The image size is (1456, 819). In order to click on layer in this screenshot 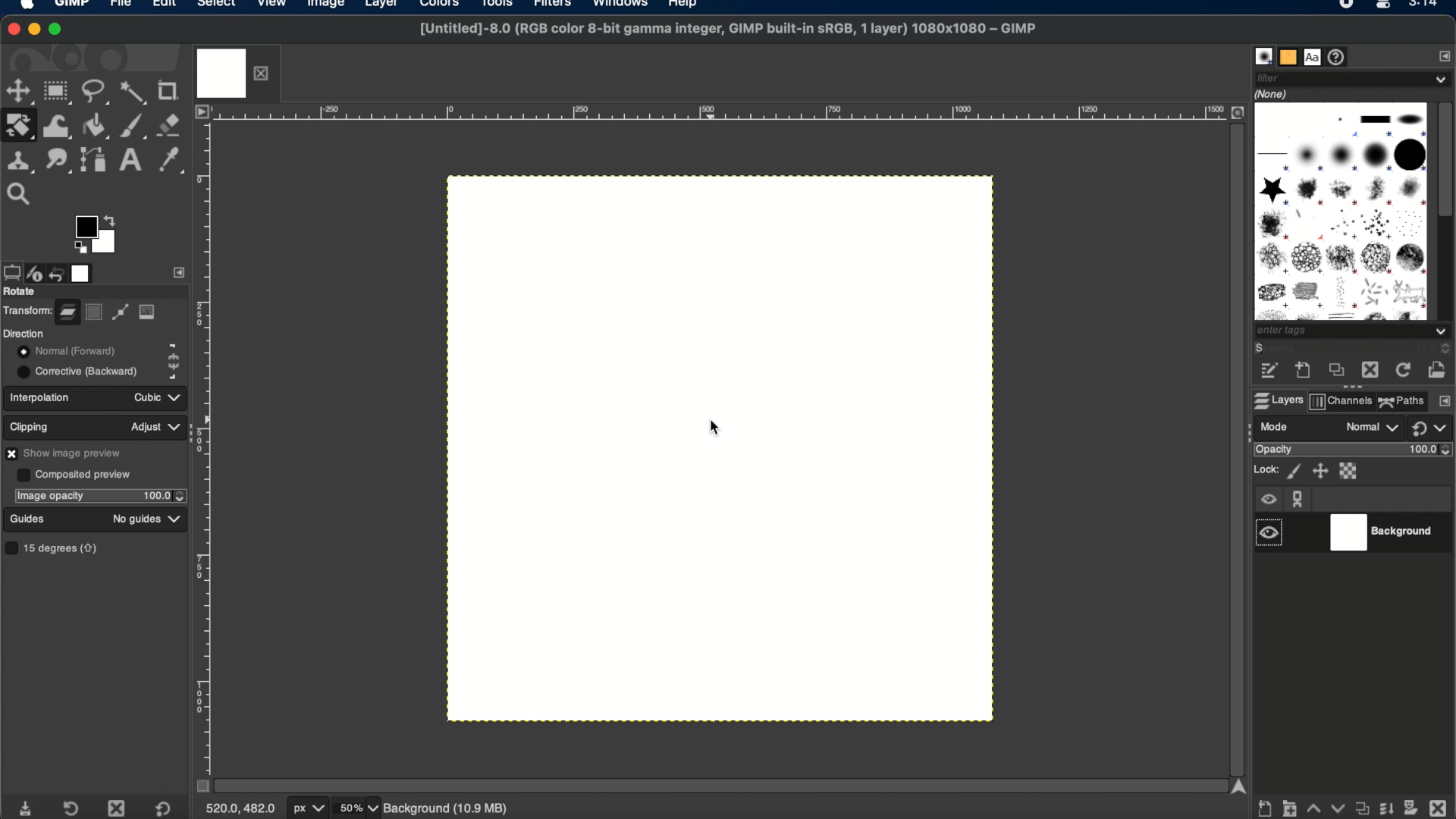, I will do `click(379, 6)`.